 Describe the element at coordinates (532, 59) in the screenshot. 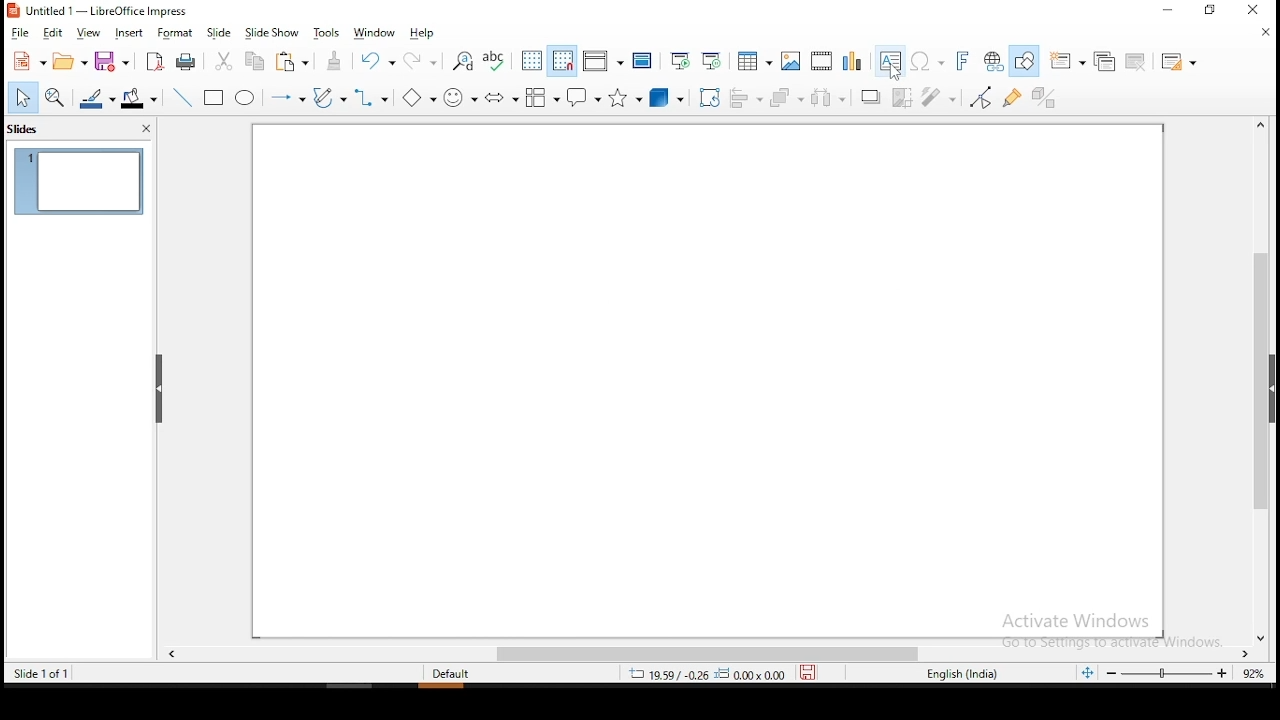

I see `display grid` at that location.